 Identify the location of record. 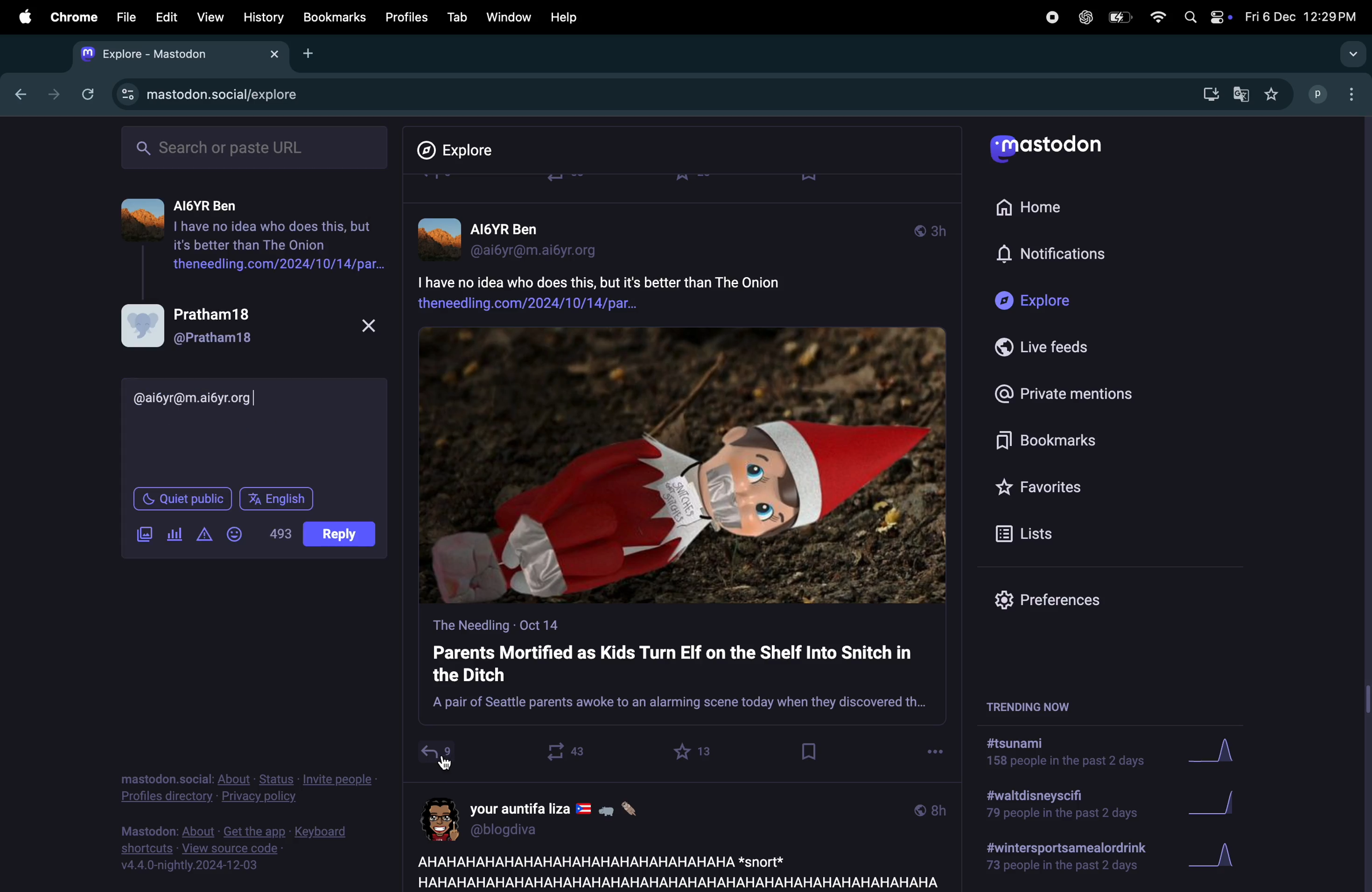
(1051, 16).